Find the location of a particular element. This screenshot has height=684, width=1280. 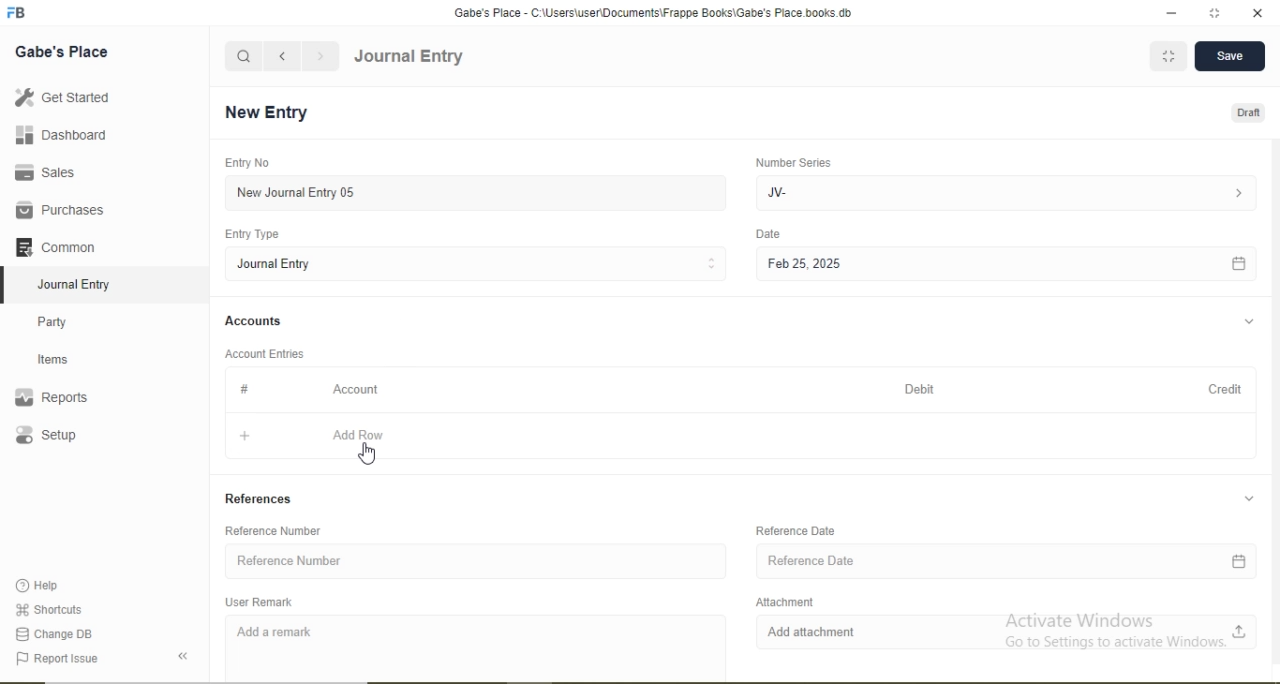

Feb 25, 2025 is located at coordinates (1005, 265).